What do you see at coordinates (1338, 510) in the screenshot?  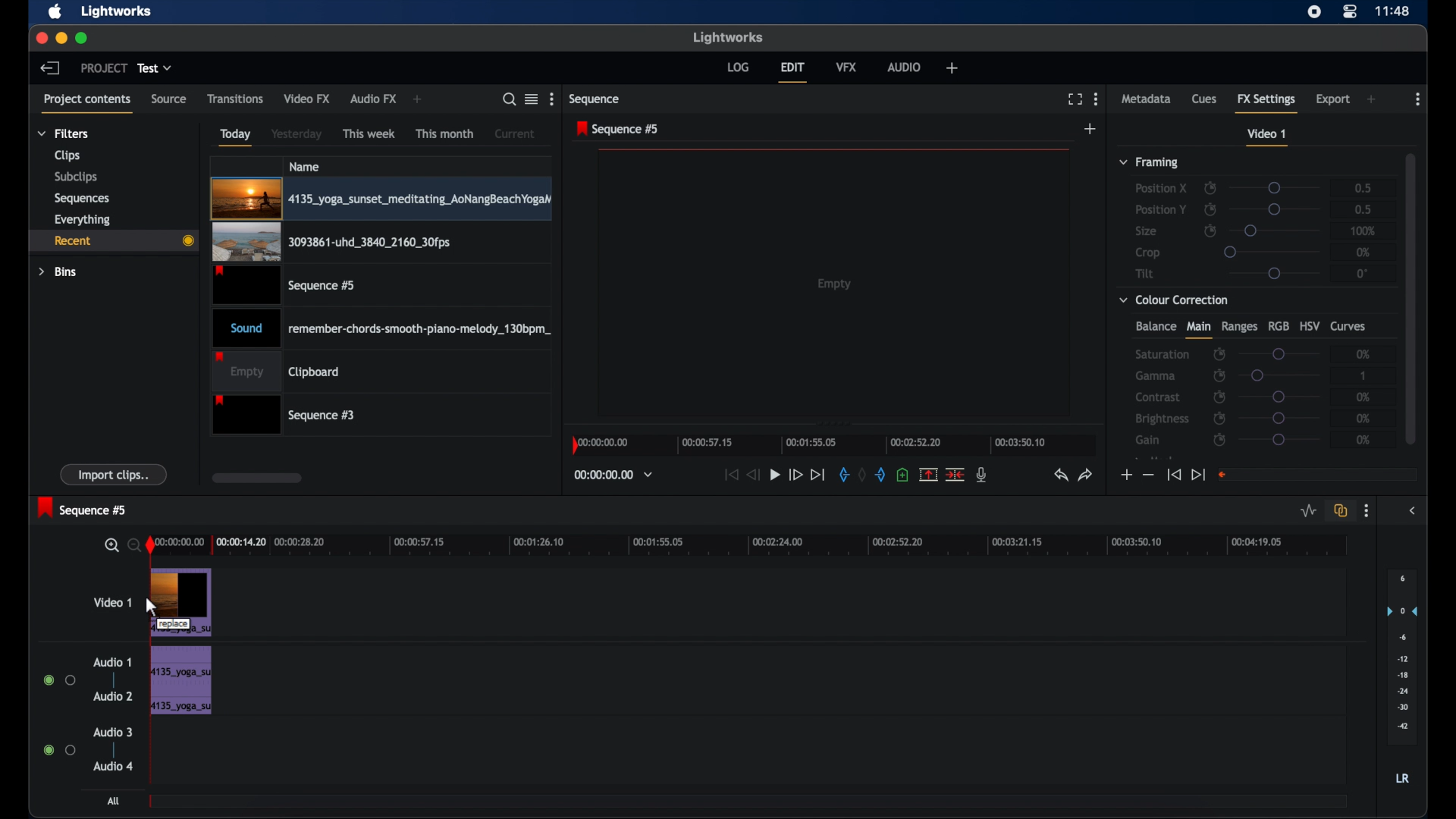 I see `toggle auto track sync` at bounding box center [1338, 510].